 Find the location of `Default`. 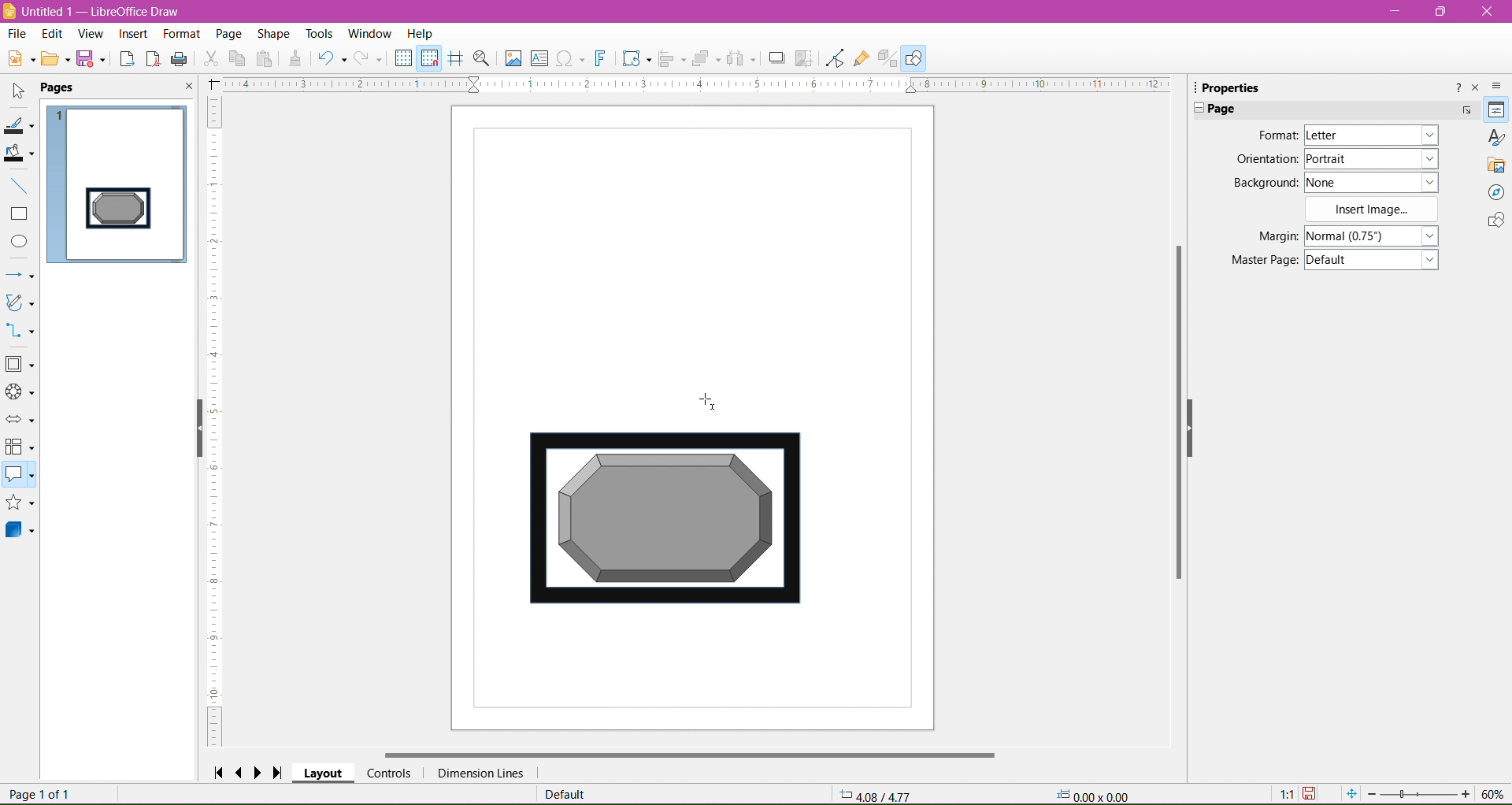

Default is located at coordinates (565, 795).